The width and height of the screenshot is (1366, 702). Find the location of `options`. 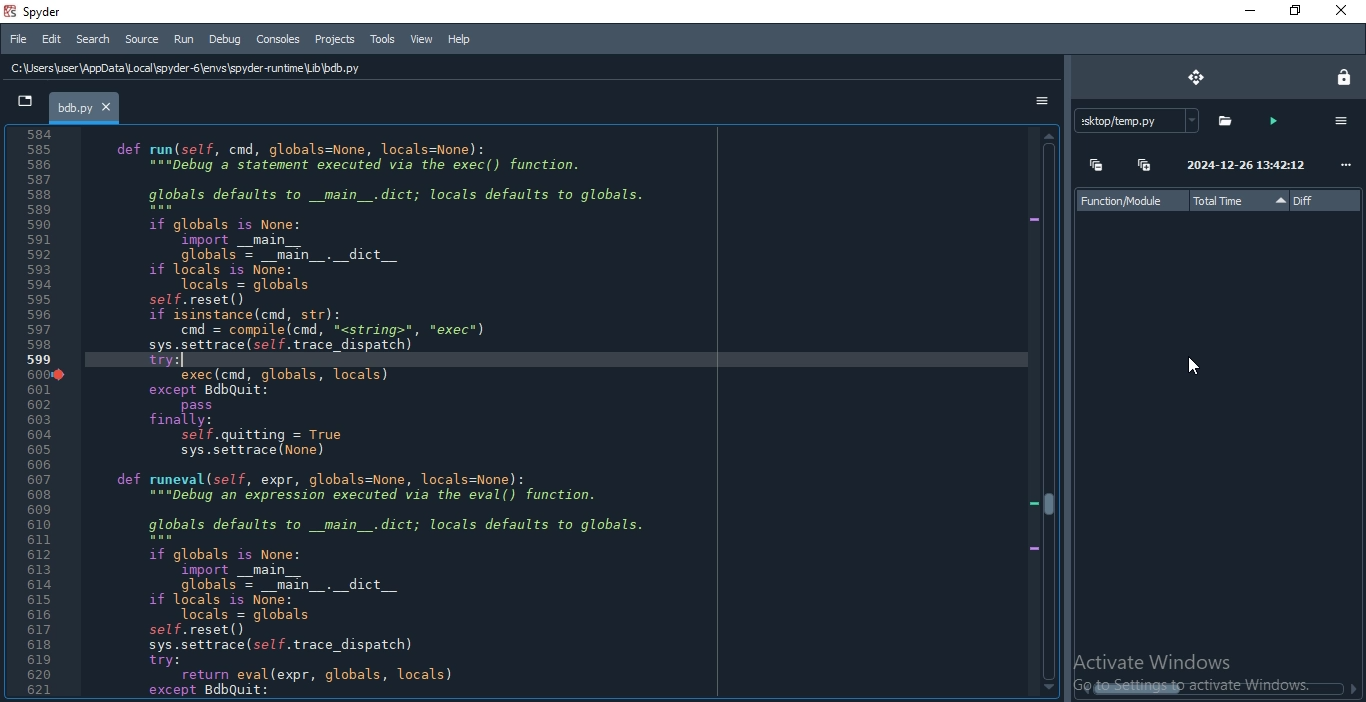

options is located at coordinates (1348, 166).